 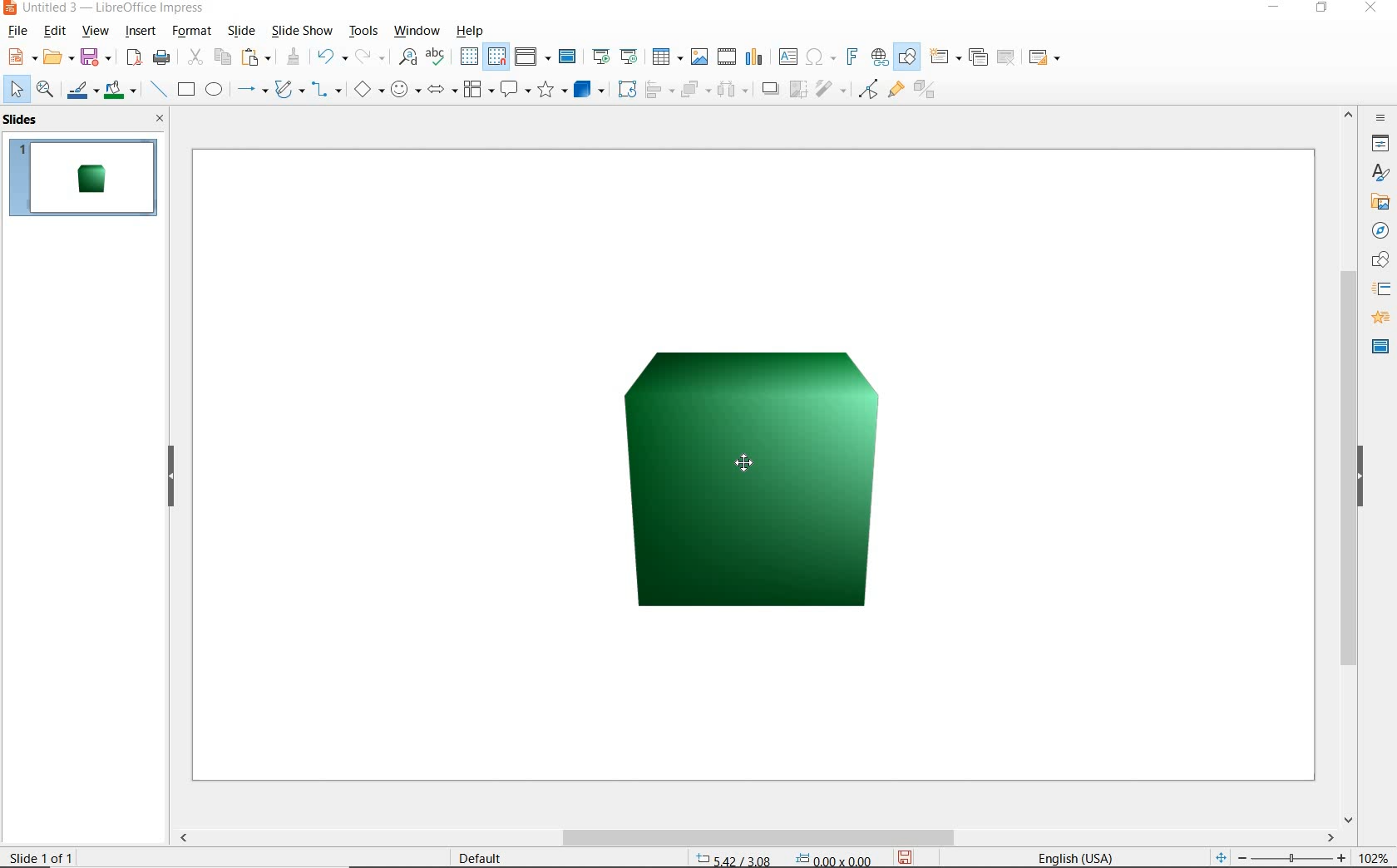 What do you see at coordinates (629, 90) in the screenshot?
I see `ROTATE` at bounding box center [629, 90].